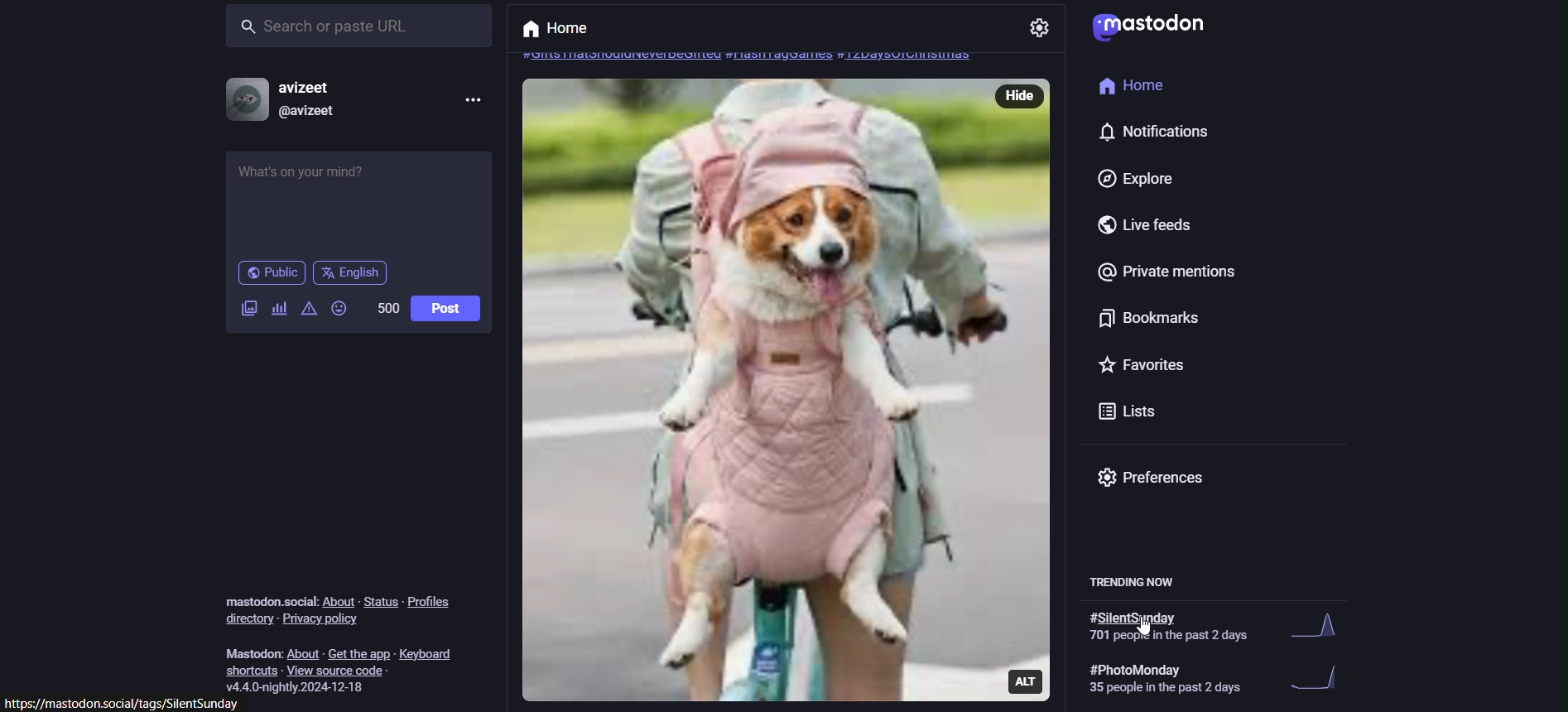  Describe the element at coordinates (1028, 680) in the screenshot. I see `Alt` at that location.